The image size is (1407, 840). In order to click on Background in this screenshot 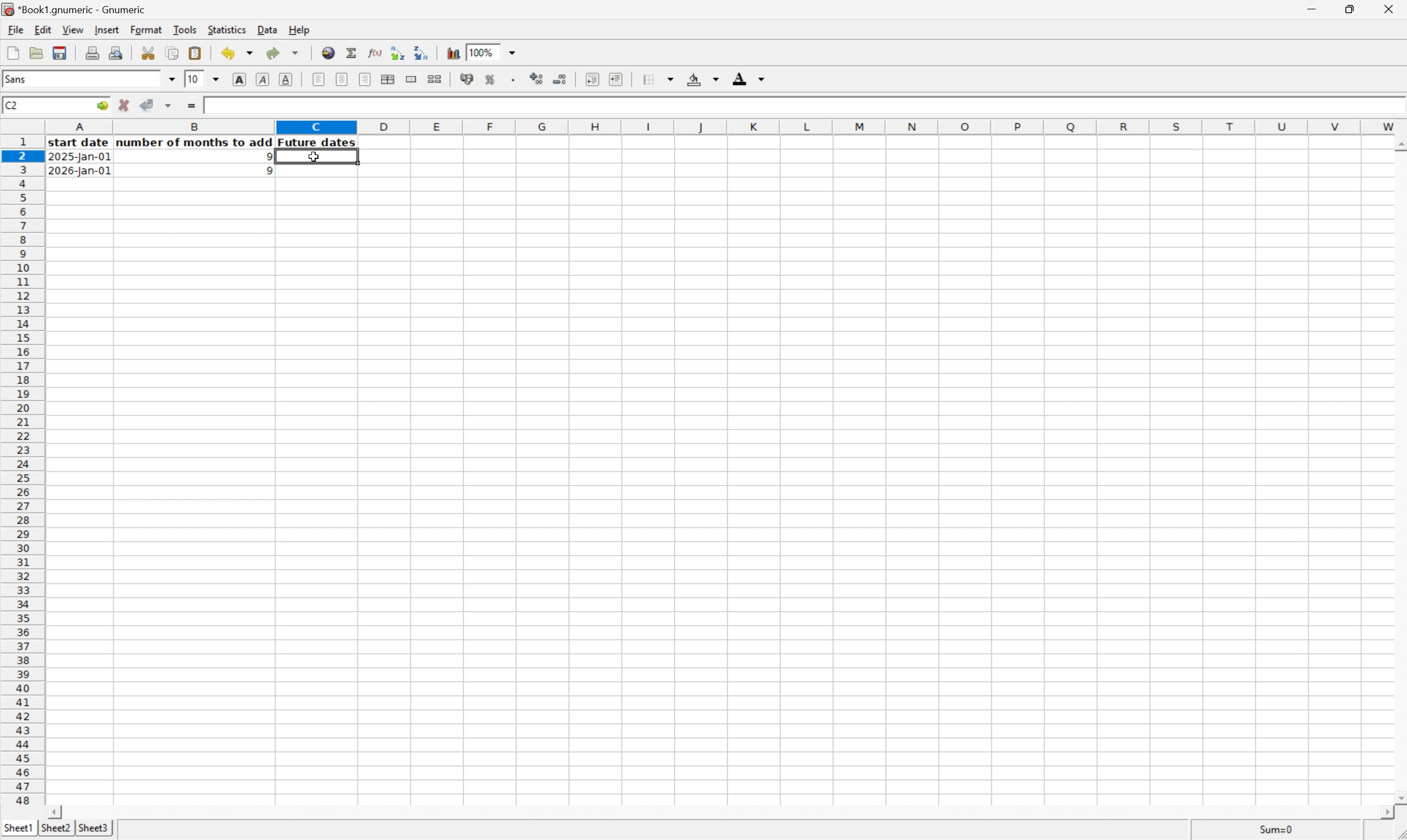, I will do `click(703, 79)`.